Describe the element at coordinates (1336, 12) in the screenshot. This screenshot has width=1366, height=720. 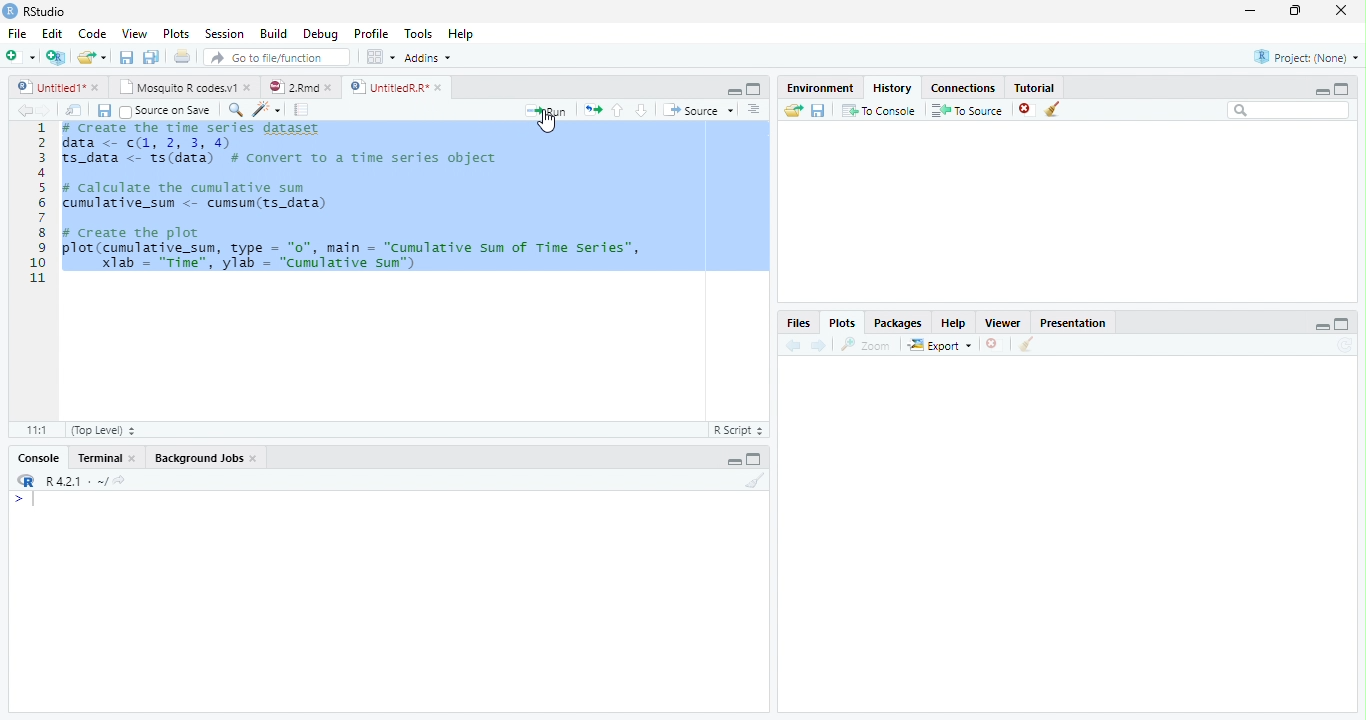
I see `Close` at that location.